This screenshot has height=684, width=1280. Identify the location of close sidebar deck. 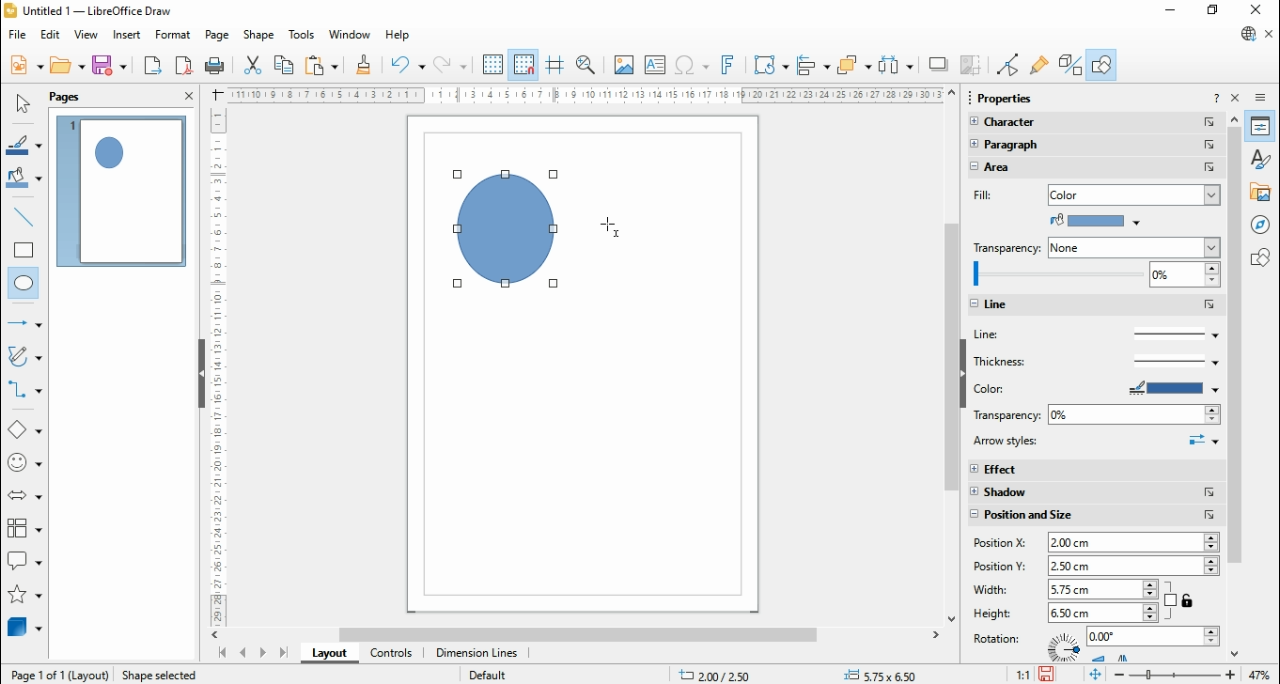
(1237, 97).